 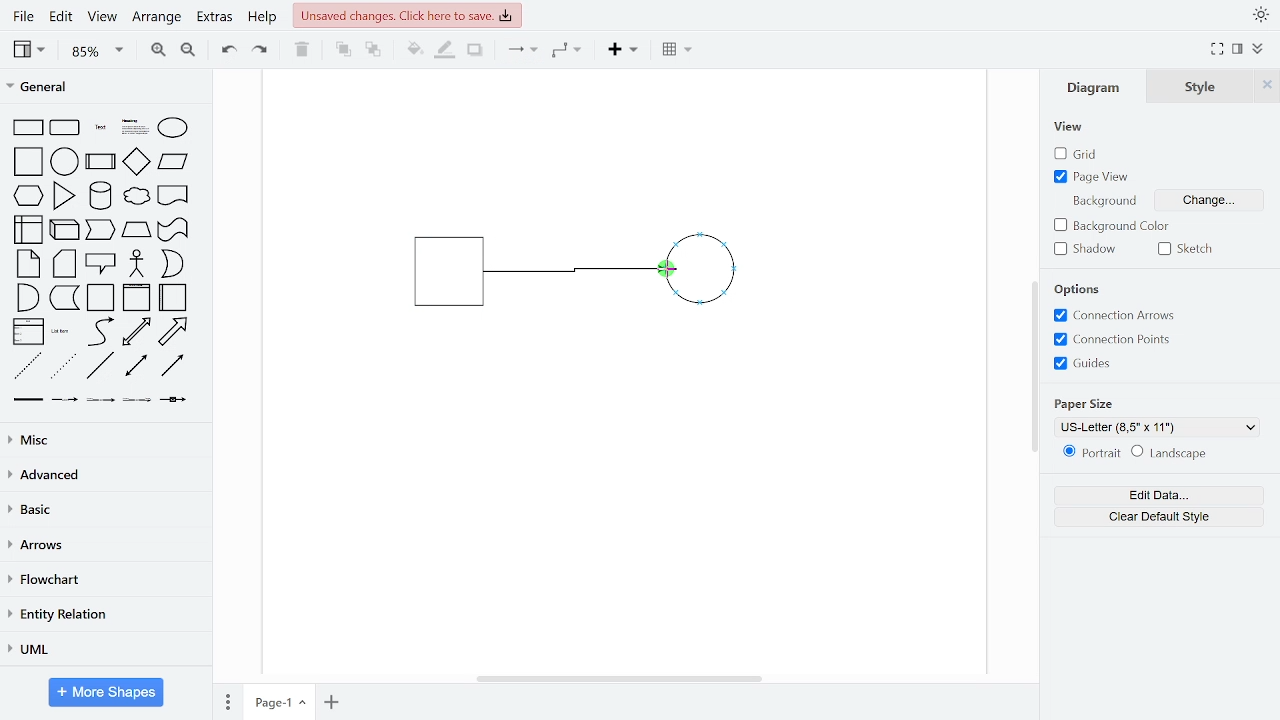 What do you see at coordinates (1090, 249) in the screenshot?
I see `shadow` at bounding box center [1090, 249].